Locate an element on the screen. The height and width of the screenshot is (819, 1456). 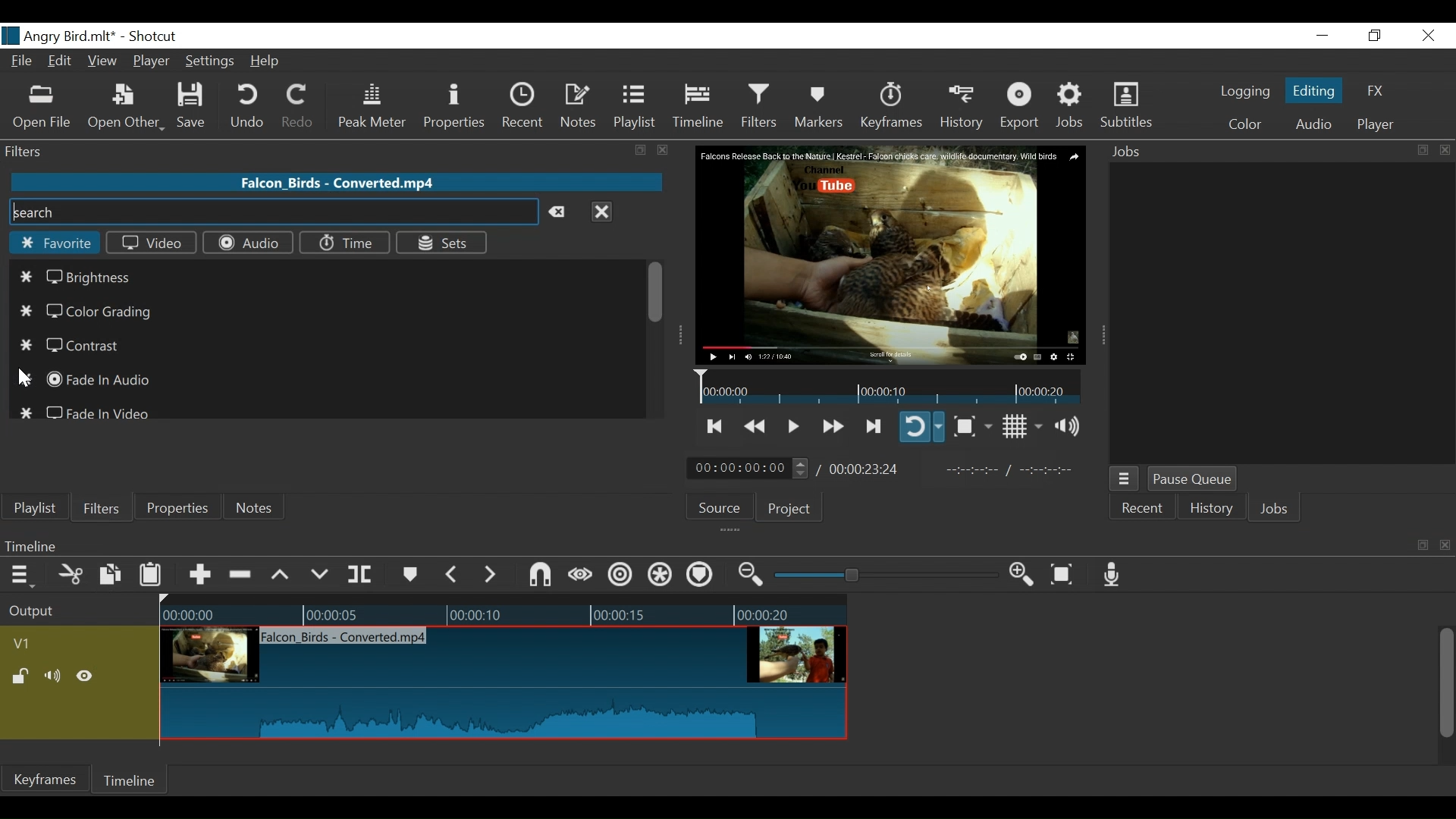
Timeline menu is located at coordinates (24, 574).